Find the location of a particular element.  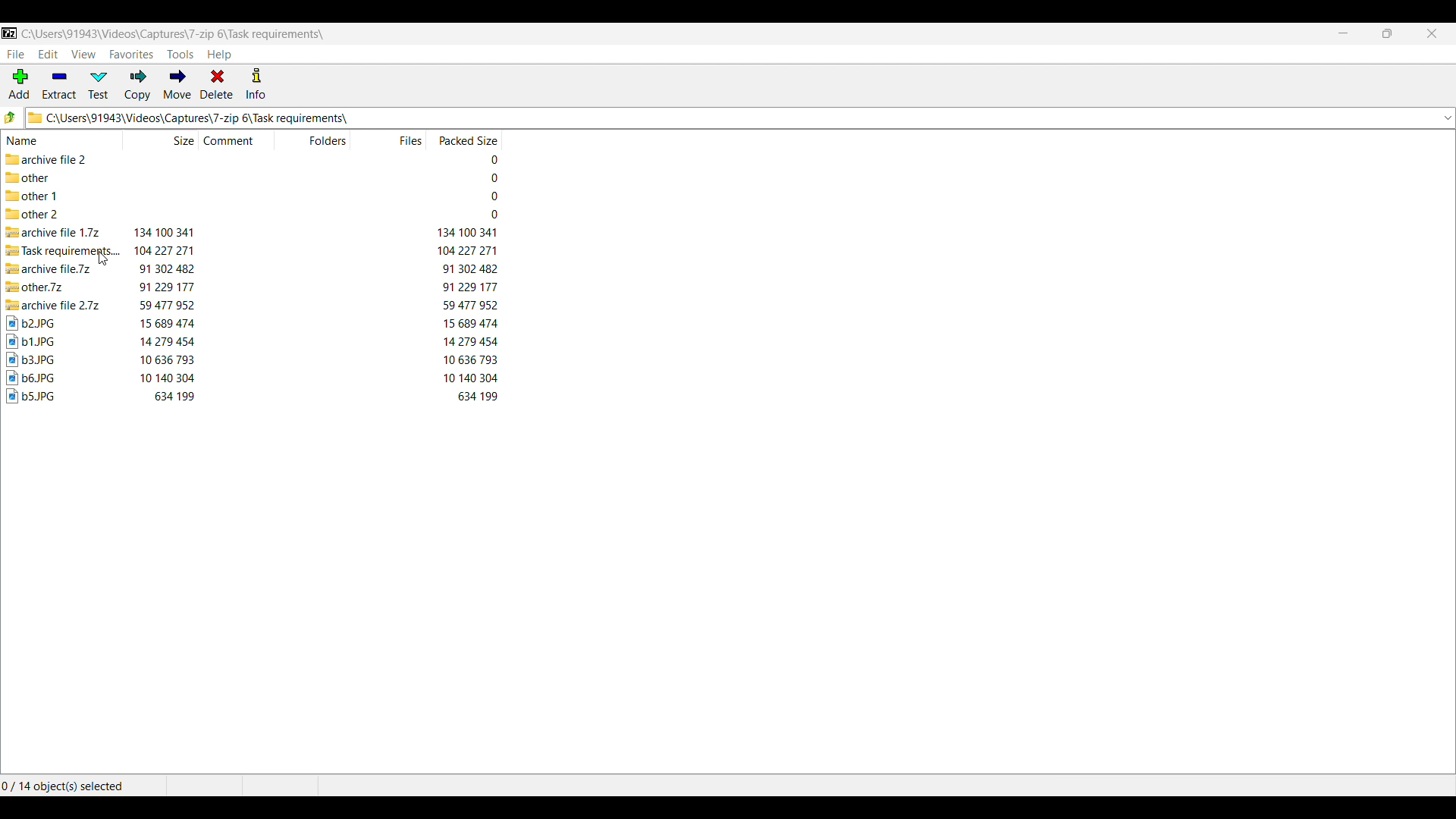

size is located at coordinates (168, 232).